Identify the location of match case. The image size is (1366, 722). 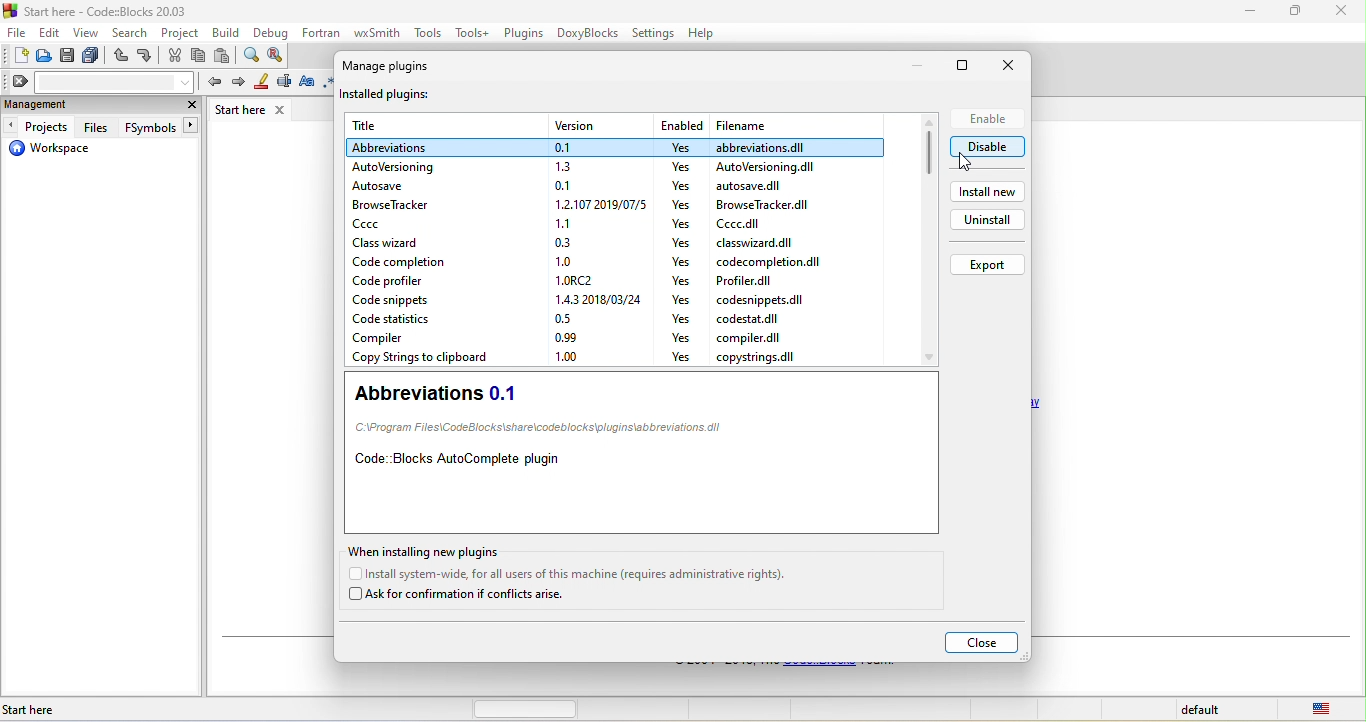
(307, 83).